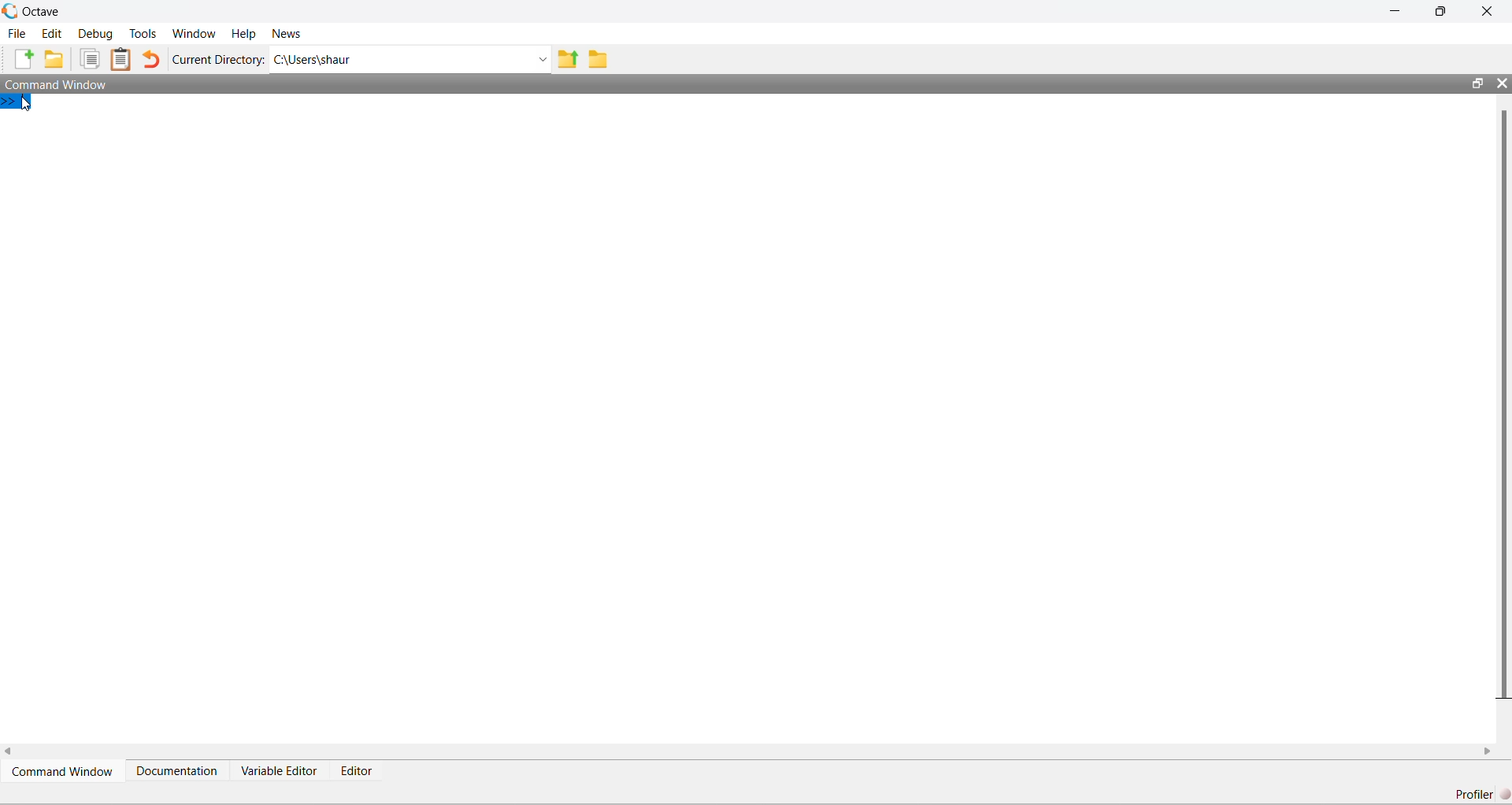 This screenshot has width=1512, height=805. I want to click on Command Window, so click(61, 85).